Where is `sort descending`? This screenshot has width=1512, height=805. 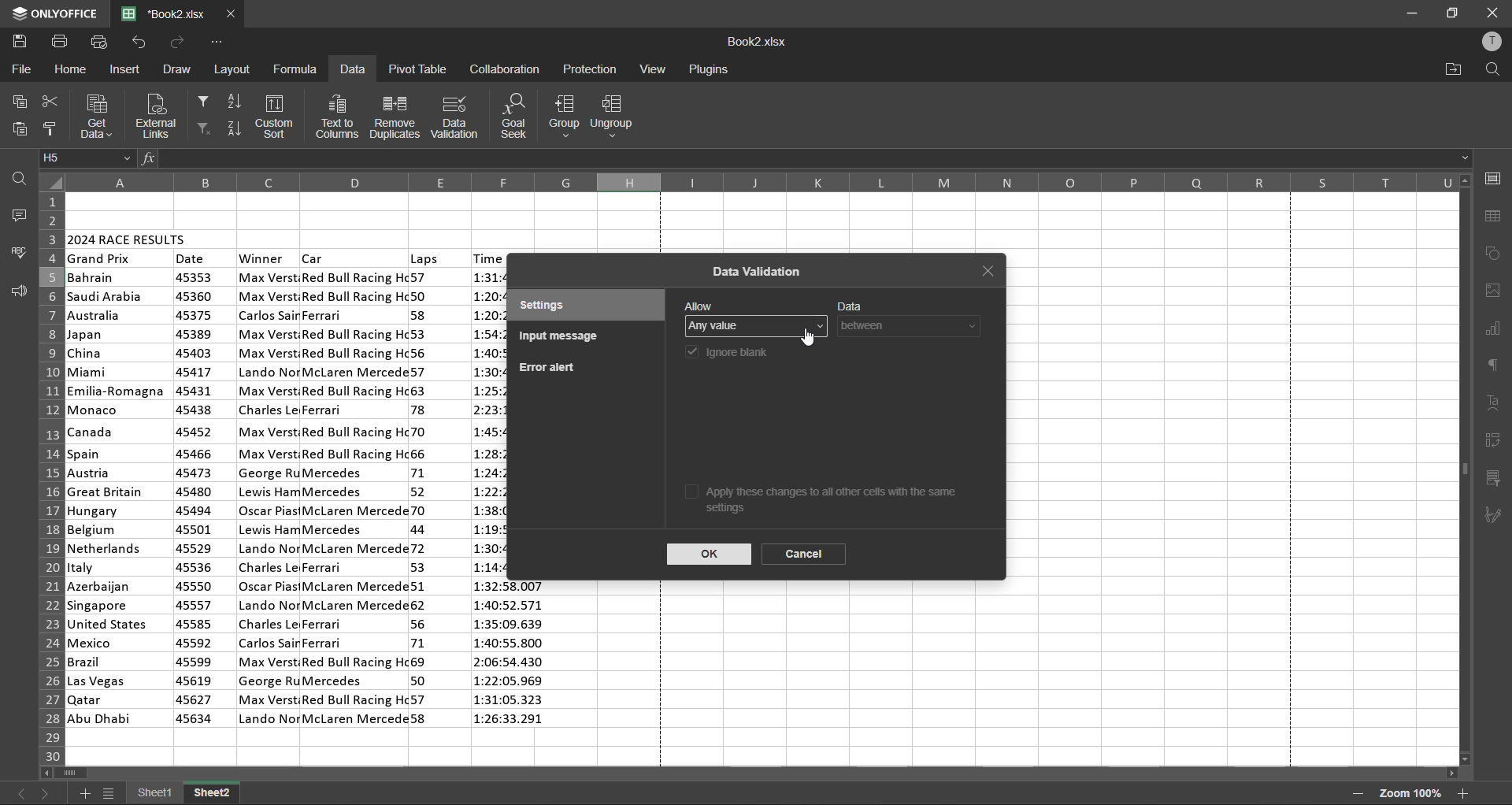 sort descending is located at coordinates (234, 126).